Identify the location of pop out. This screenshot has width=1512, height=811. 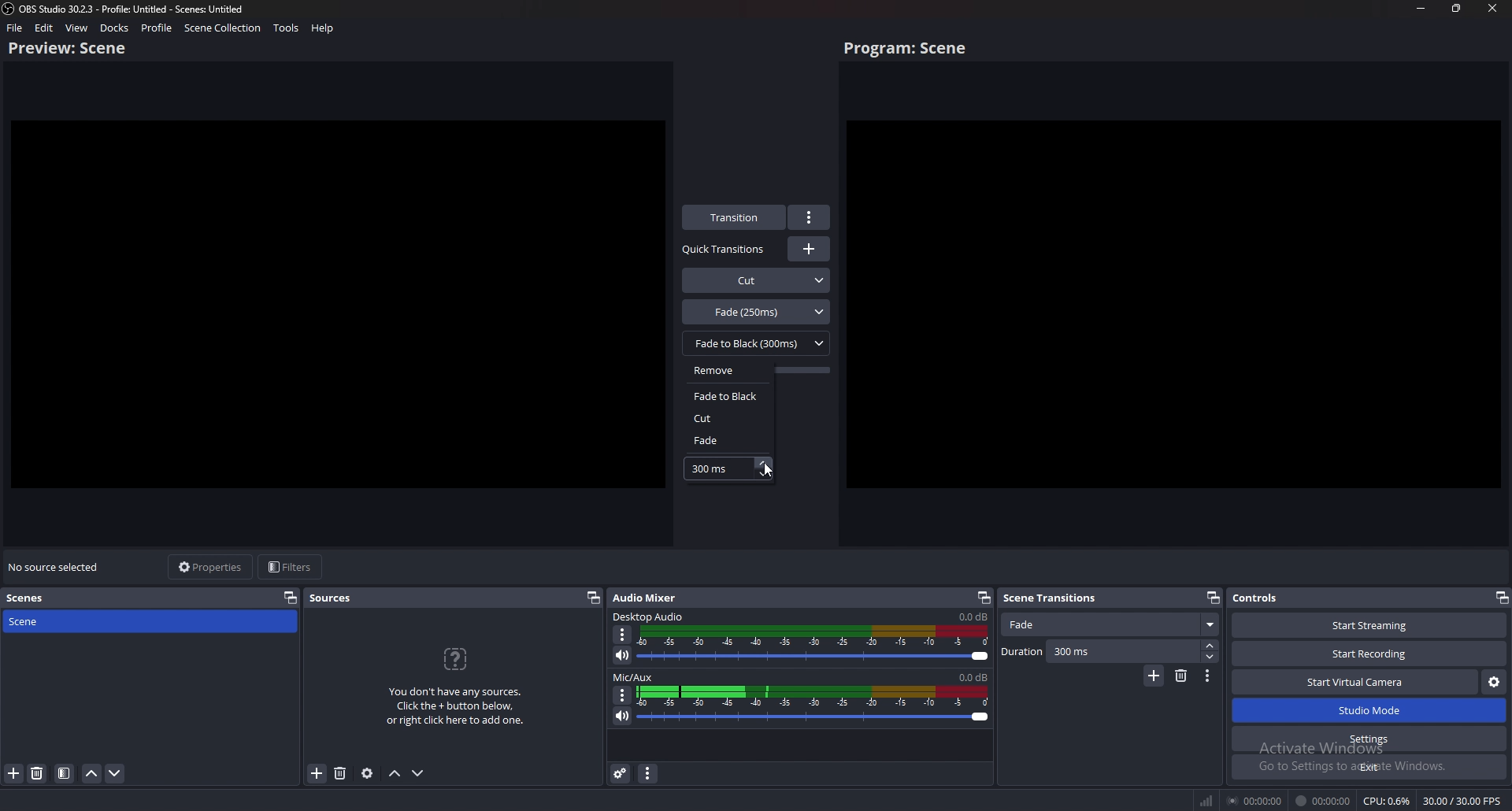
(593, 598).